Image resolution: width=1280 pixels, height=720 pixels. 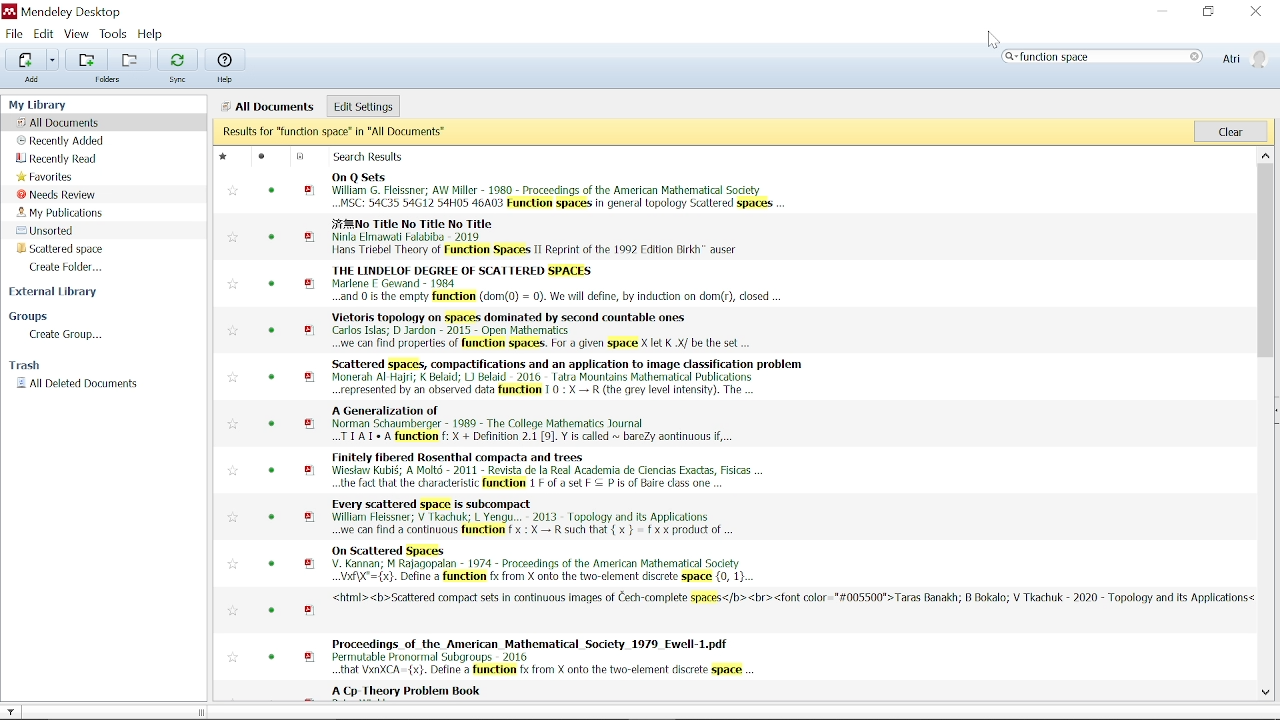 What do you see at coordinates (233, 284) in the screenshot?
I see `Add to favorite` at bounding box center [233, 284].